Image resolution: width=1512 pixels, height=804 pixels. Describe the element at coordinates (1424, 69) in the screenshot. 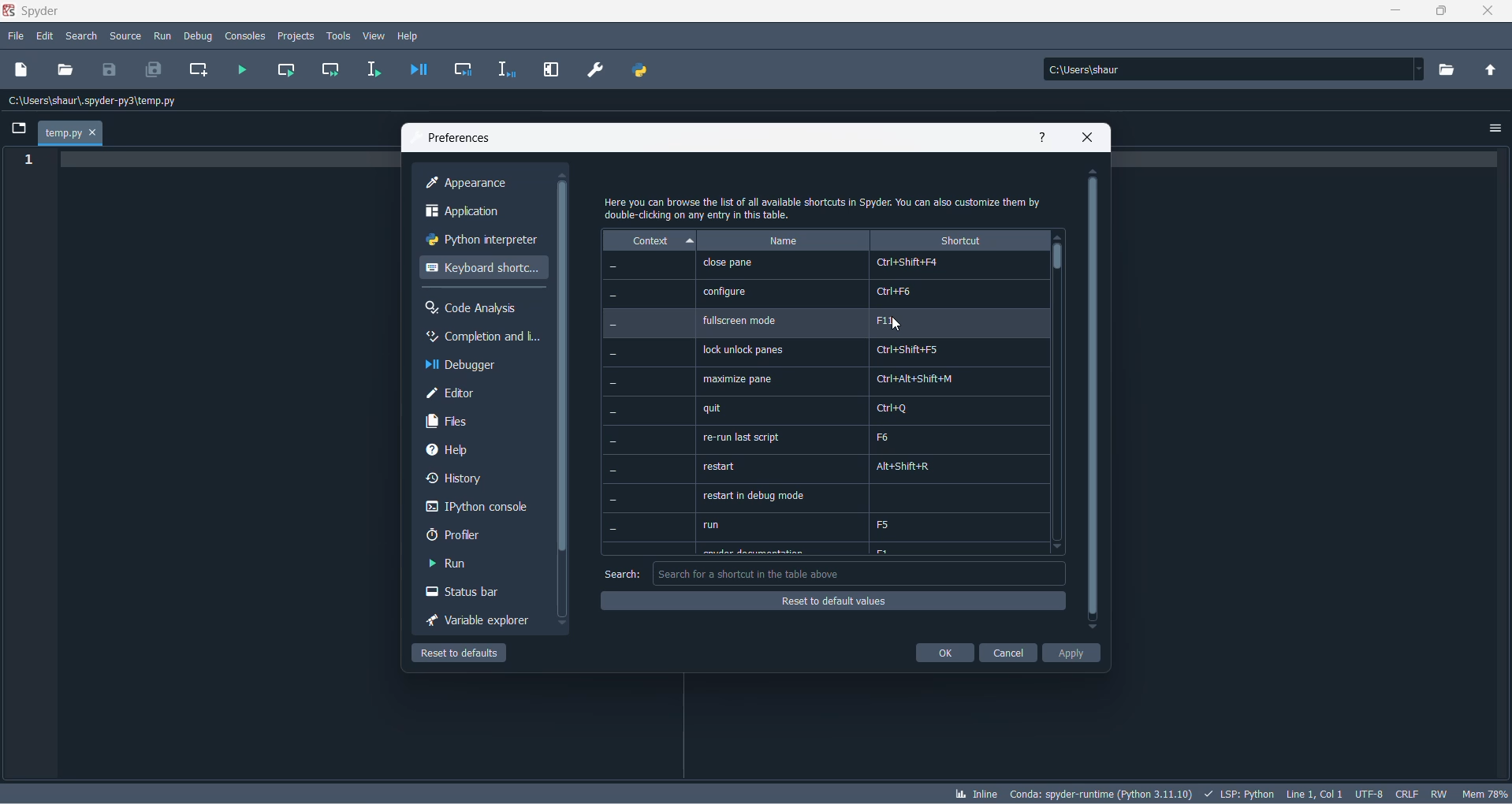

I see `path dropdown` at that location.